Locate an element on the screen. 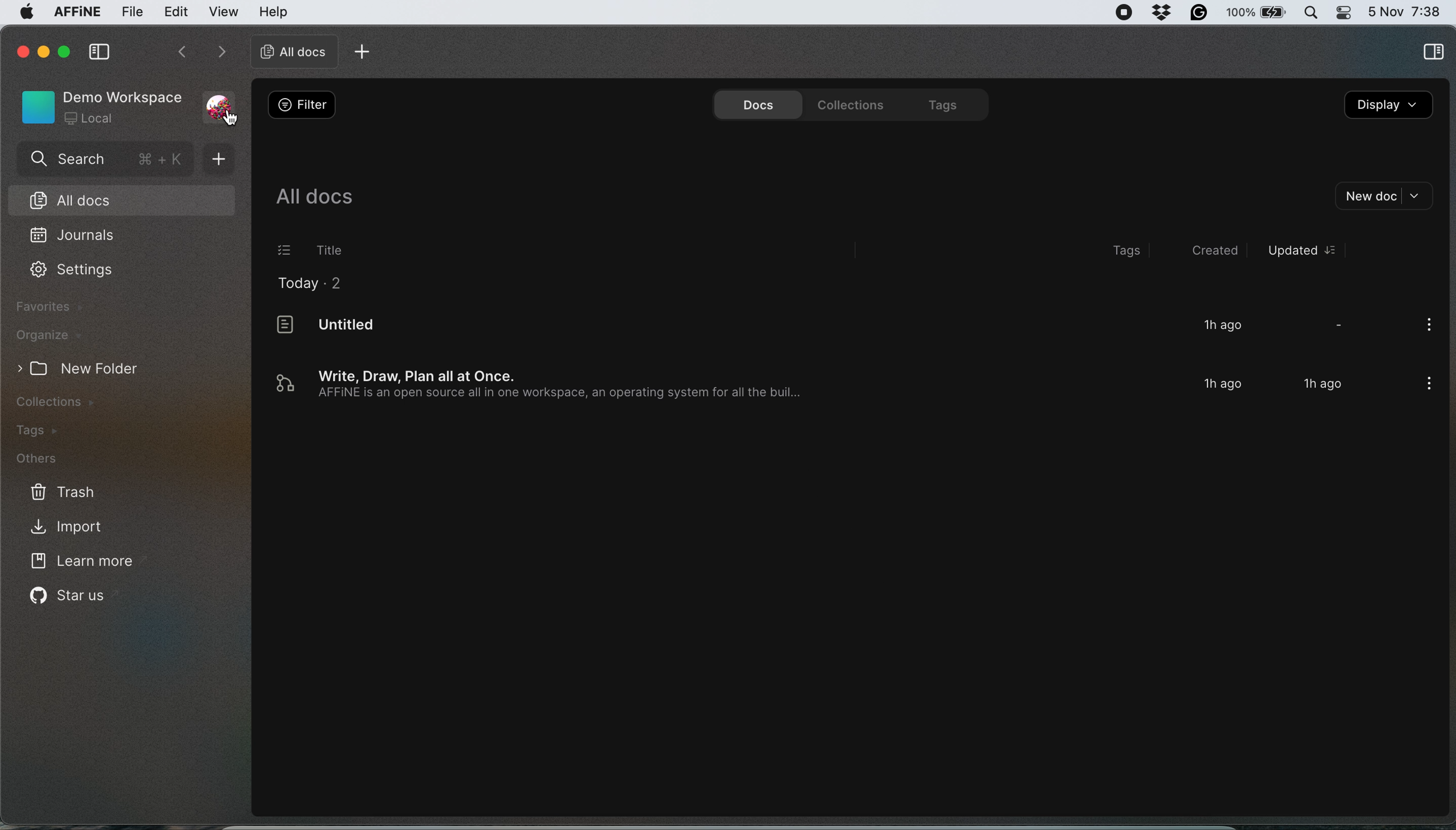  Write,Draw,plan is located at coordinates (815, 385).